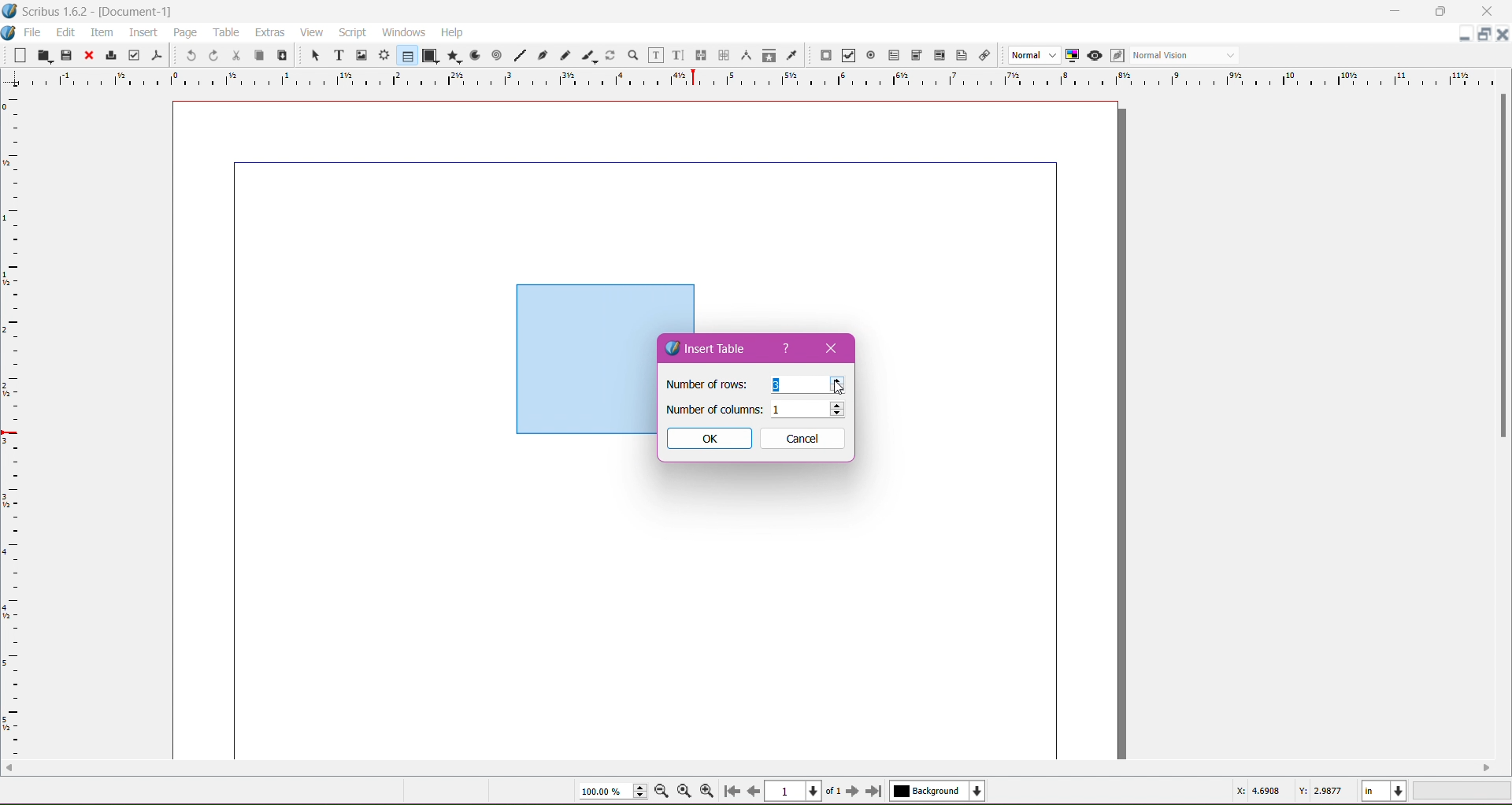 The height and width of the screenshot is (805, 1512). What do you see at coordinates (102, 32) in the screenshot?
I see `Item` at bounding box center [102, 32].